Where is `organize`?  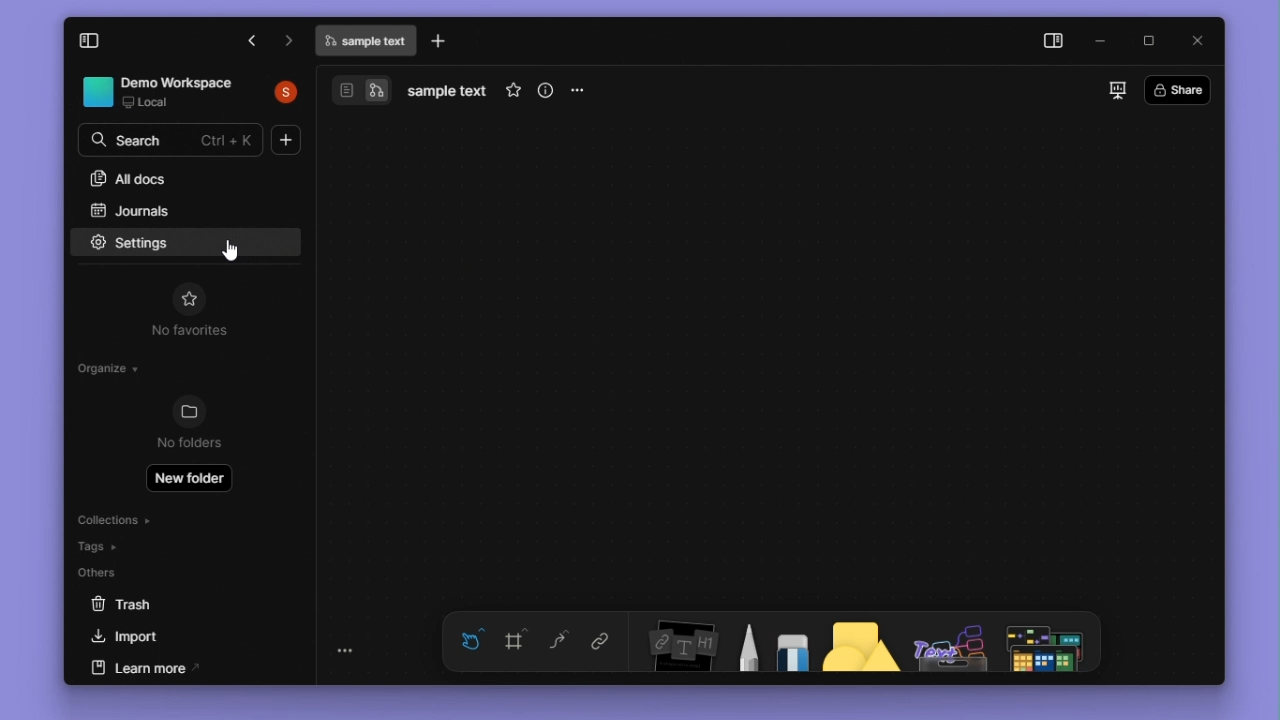 organize is located at coordinates (111, 368).